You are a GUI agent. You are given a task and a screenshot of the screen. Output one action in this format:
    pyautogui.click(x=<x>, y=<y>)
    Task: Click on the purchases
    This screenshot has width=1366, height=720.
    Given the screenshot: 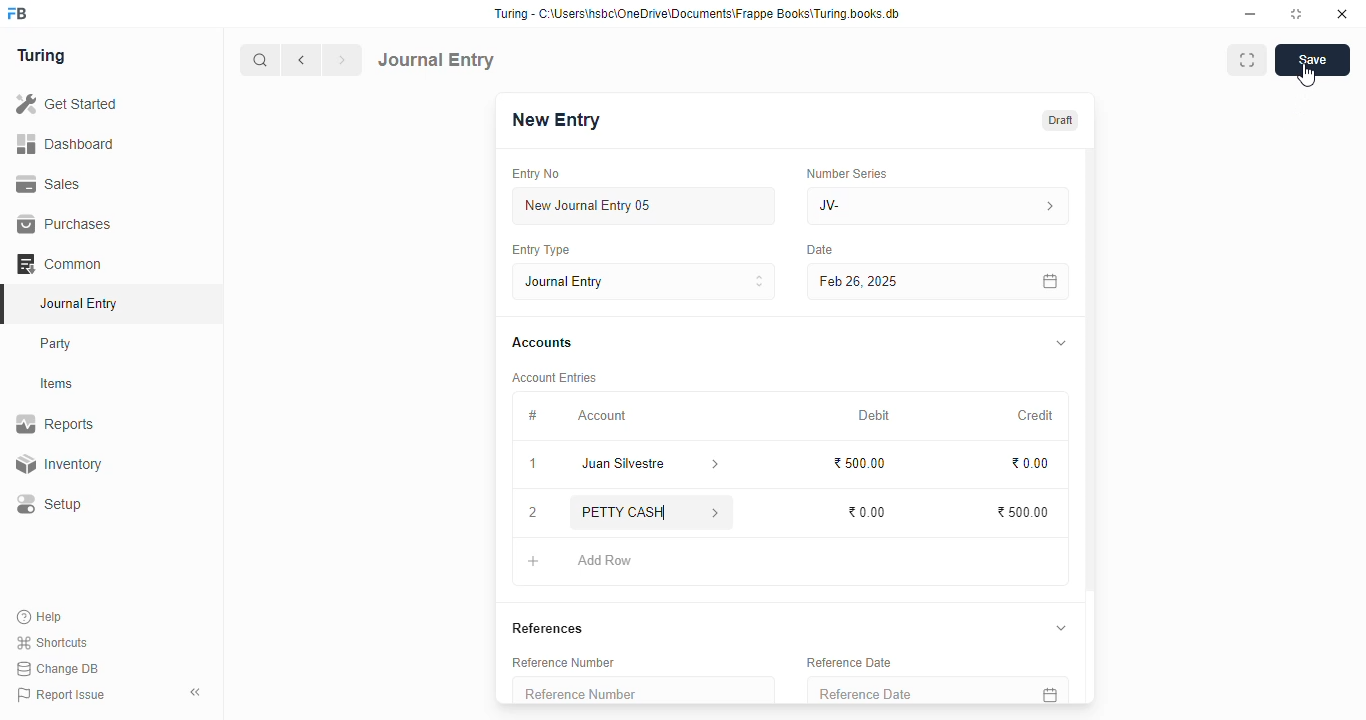 What is the action you would take?
    pyautogui.click(x=64, y=224)
    